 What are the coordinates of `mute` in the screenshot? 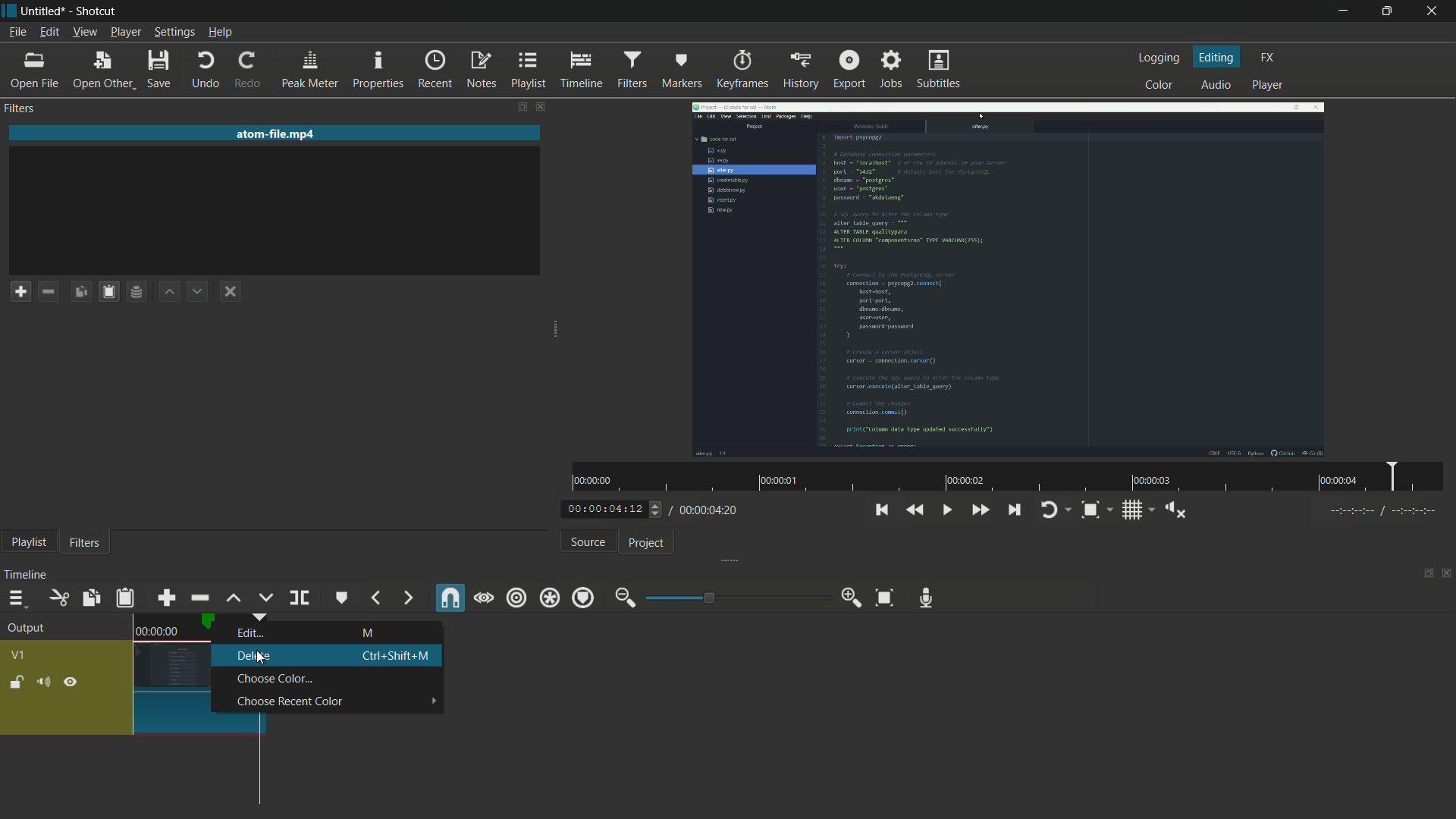 It's located at (46, 682).